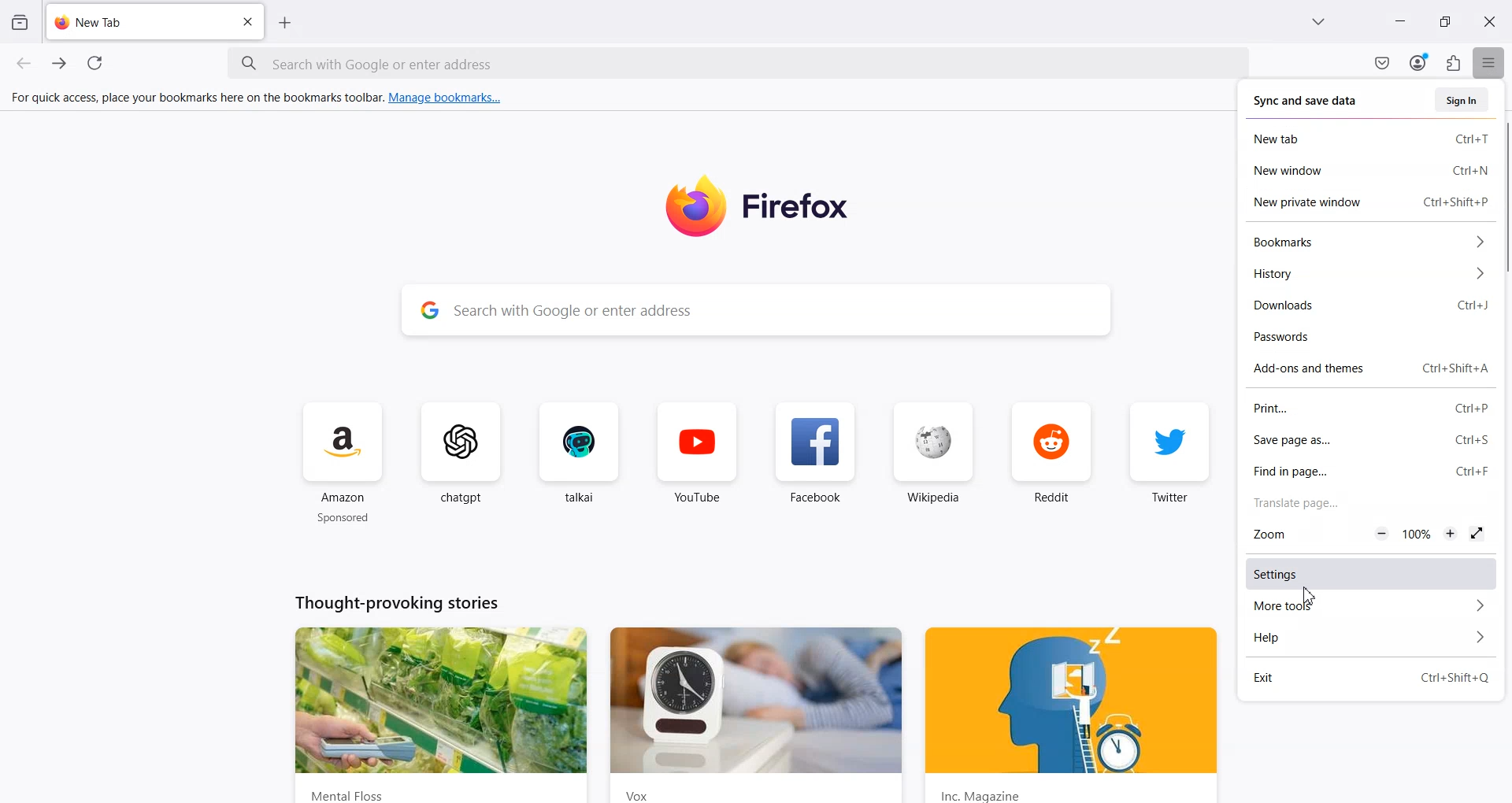  What do you see at coordinates (735, 64) in the screenshot?
I see `Search bar` at bounding box center [735, 64].